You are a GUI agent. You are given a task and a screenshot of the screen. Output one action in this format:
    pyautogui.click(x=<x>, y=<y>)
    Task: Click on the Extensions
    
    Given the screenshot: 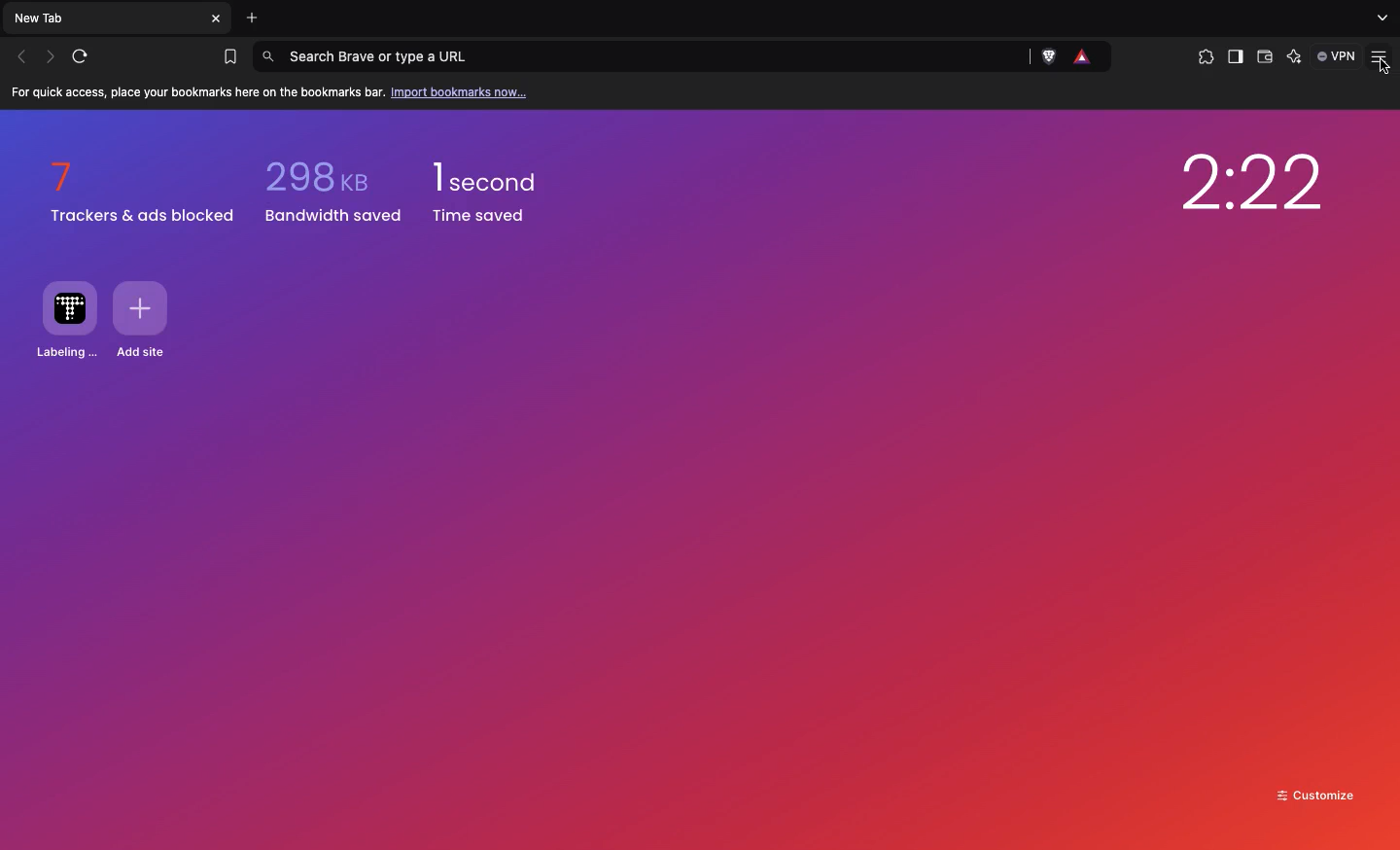 What is the action you would take?
    pyautogui.click(x=1202, y=57)
    